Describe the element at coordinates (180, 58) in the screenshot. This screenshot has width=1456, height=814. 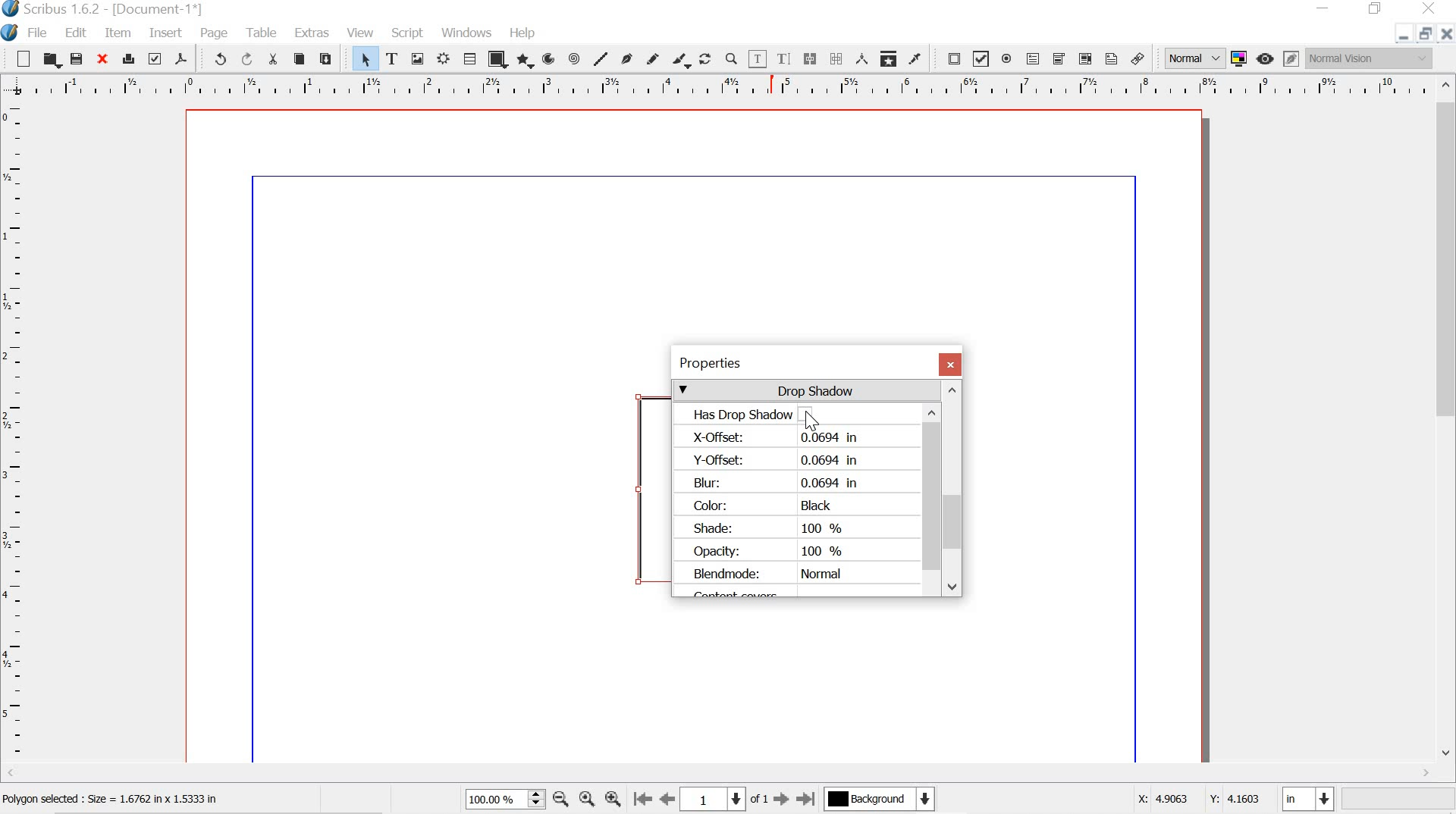
I see `save as pdf` at that location.